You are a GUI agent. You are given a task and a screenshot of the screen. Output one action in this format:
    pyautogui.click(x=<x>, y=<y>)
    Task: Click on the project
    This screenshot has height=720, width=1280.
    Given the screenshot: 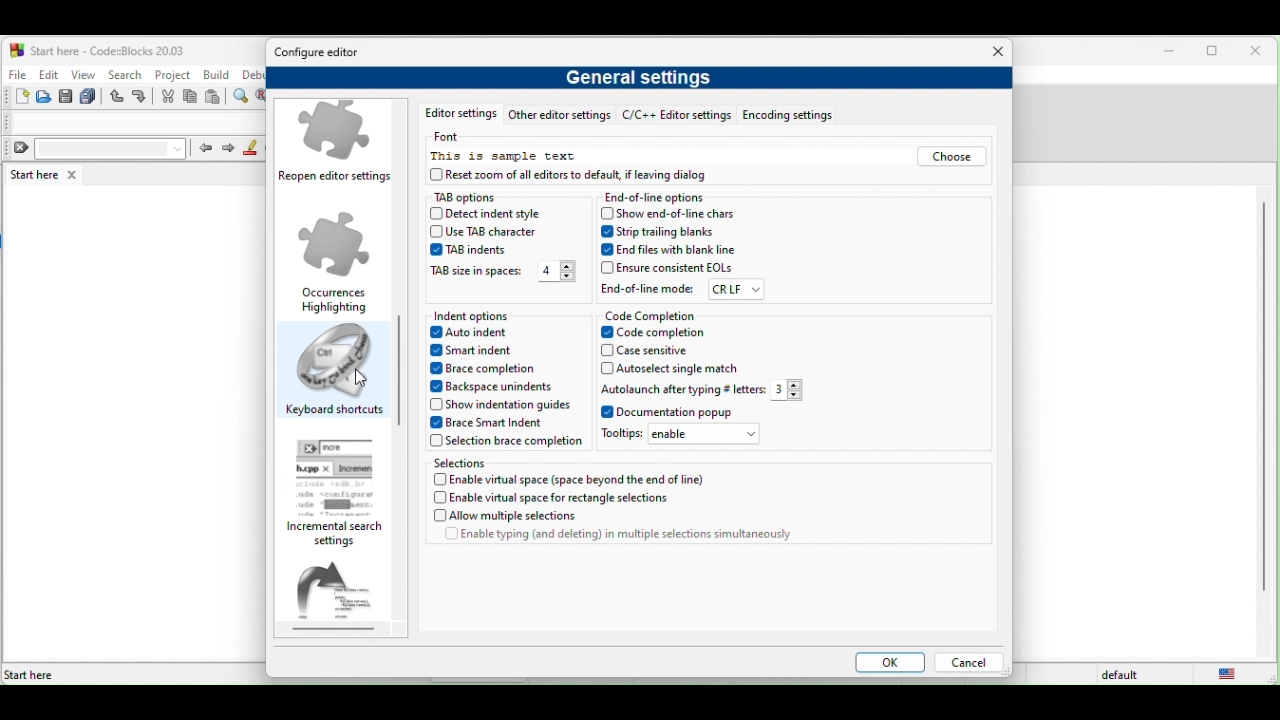 What is the action you would take?
    pyautogui.click(x=173, y=73)
    